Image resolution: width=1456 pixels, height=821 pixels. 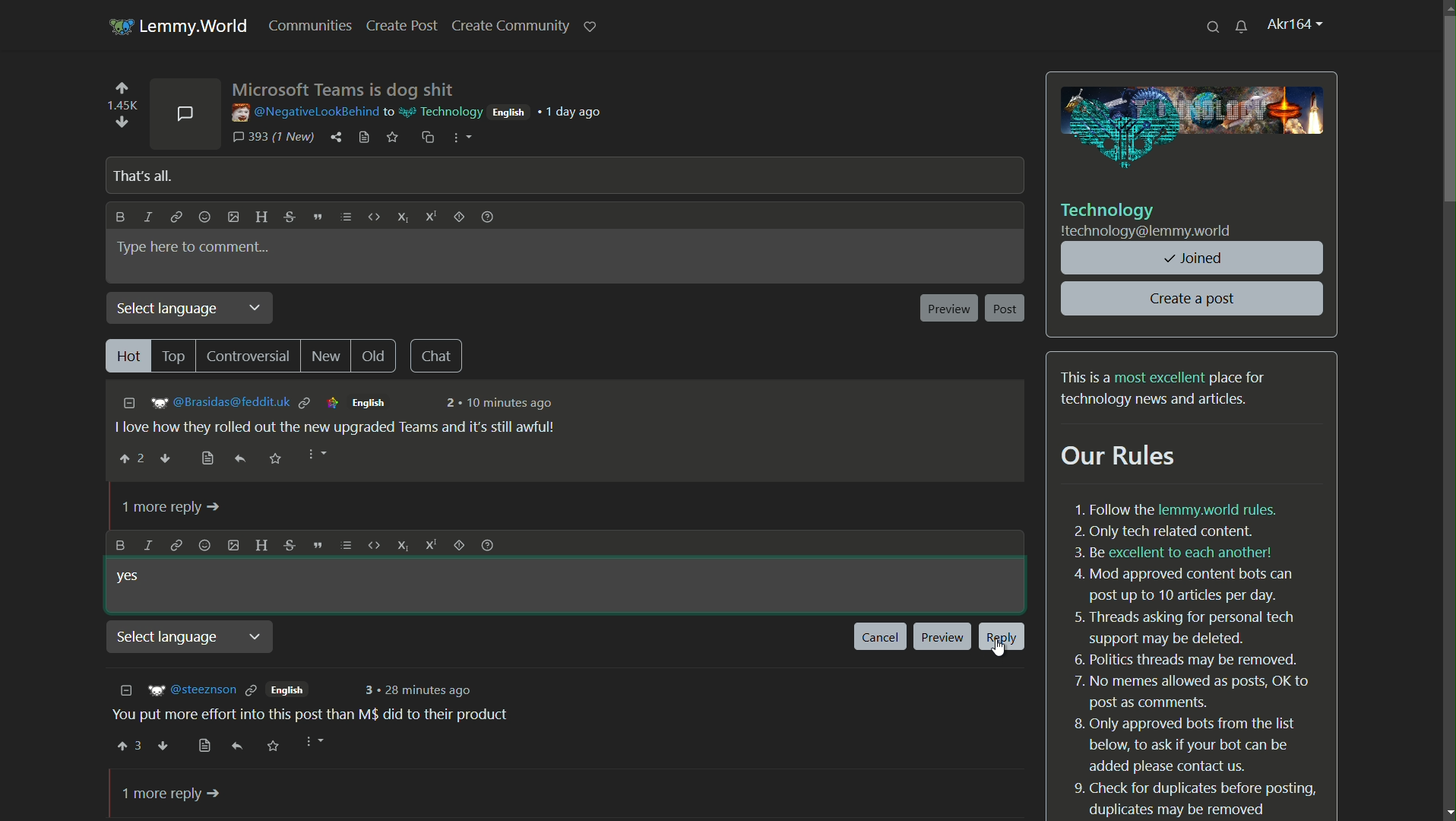 What do you see at coordinates (372, 545) in the screenshot?
I see `code` at bounding box center [372, 545].